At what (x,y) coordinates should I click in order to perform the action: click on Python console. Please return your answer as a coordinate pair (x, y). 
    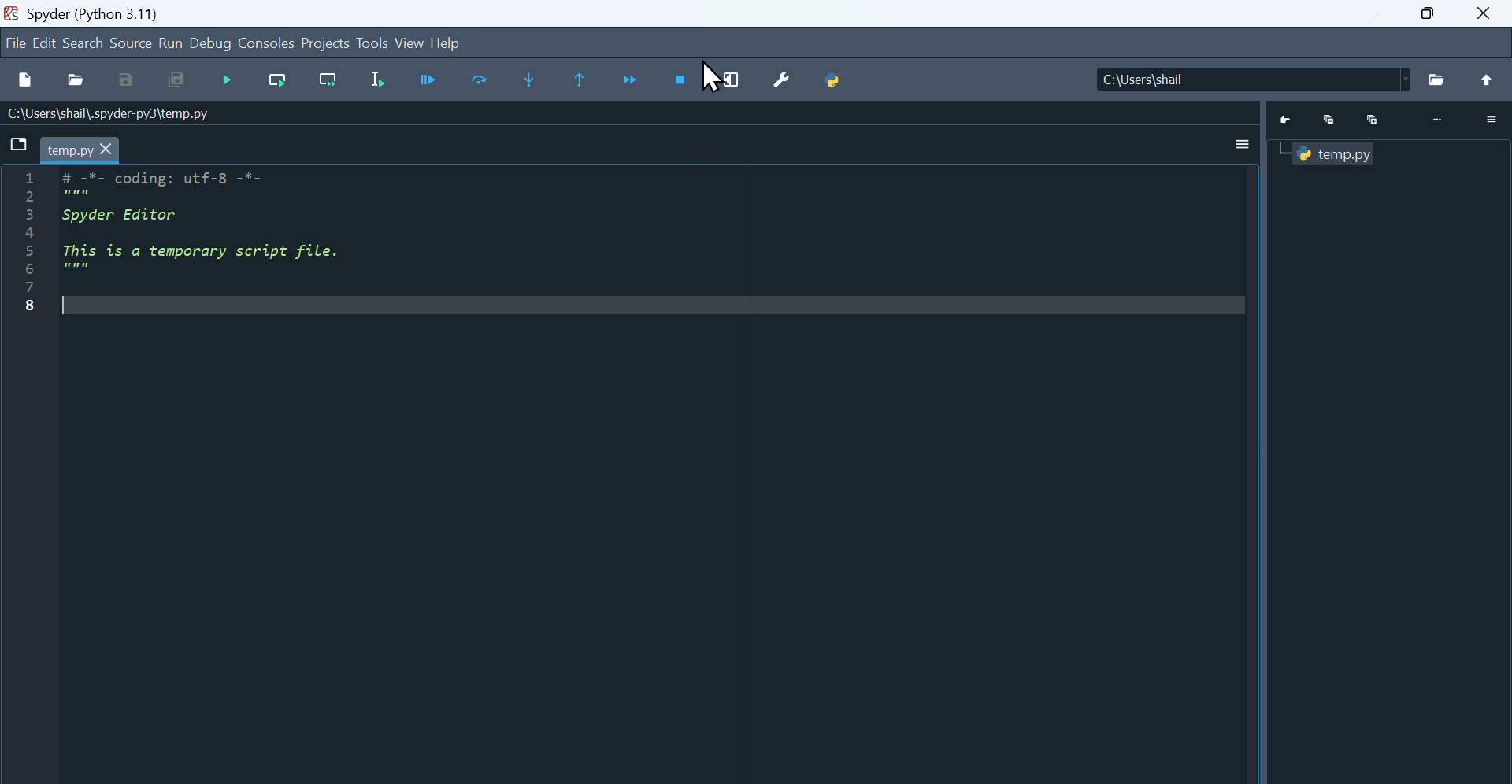
    Looking at the image, I should click on (1391, 120).